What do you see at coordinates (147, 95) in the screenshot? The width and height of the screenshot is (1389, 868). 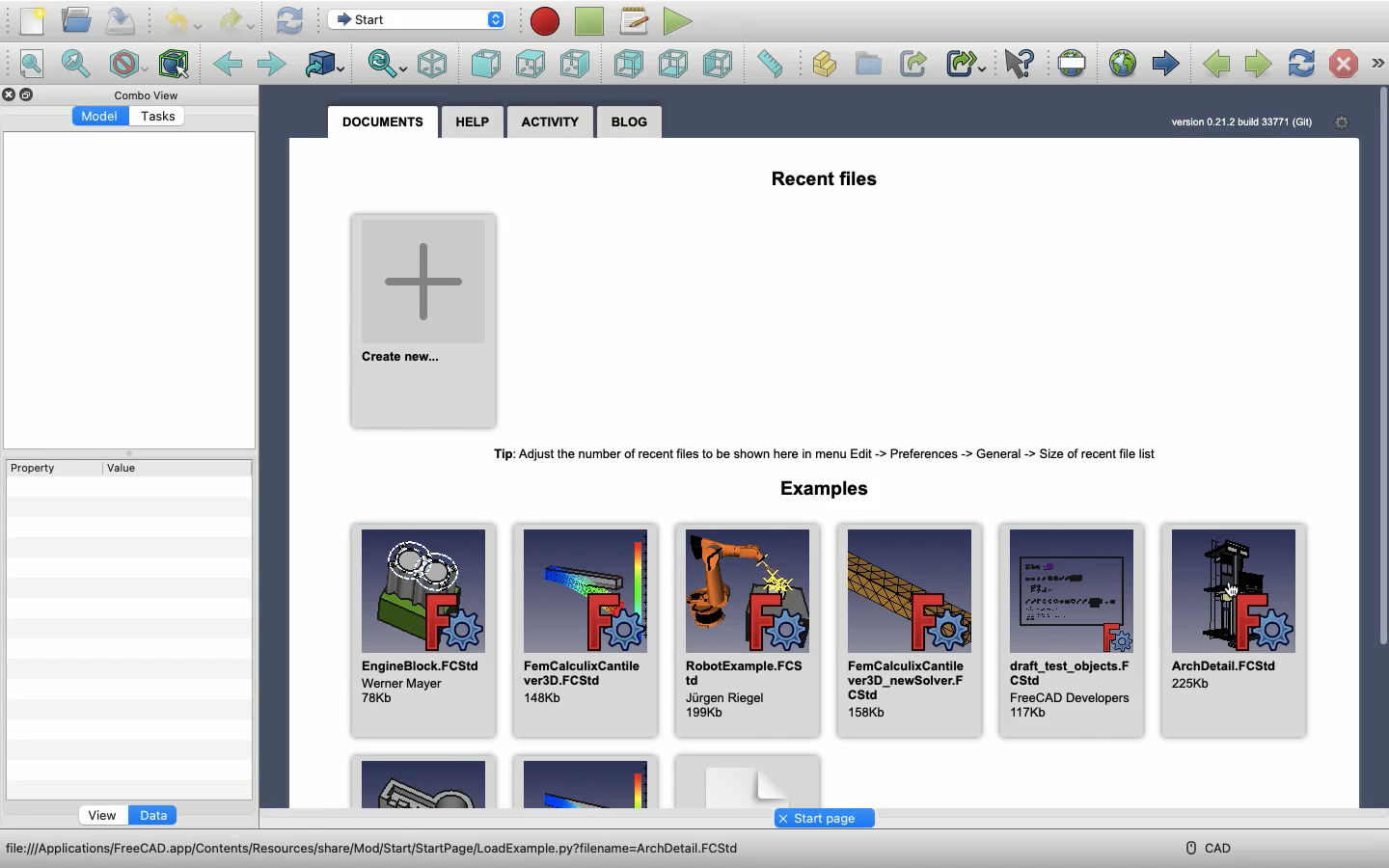 I see `Combo view` at bounding box center [147, 95].